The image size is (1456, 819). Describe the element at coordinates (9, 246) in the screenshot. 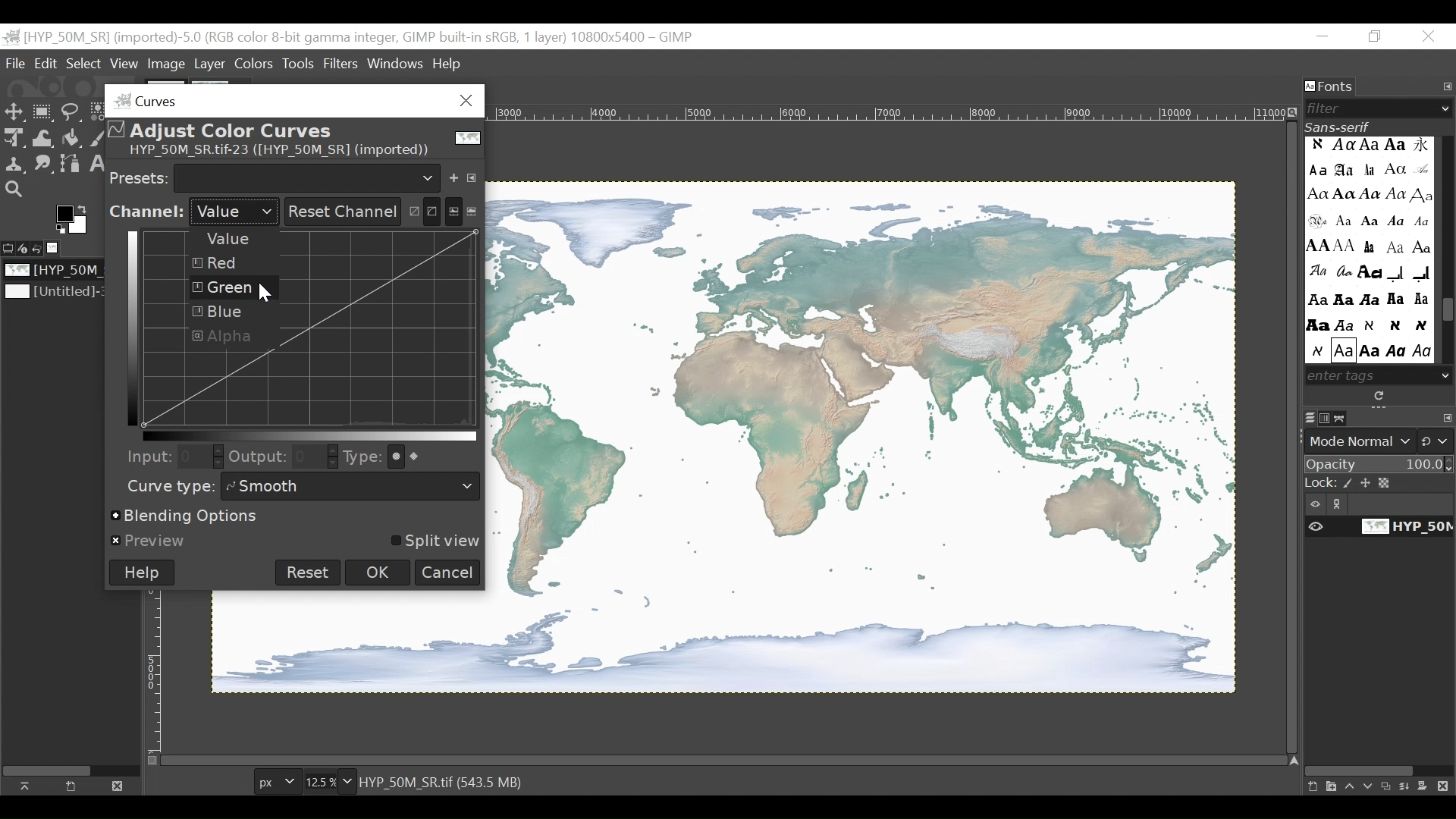

I see `Tool options` at that location.